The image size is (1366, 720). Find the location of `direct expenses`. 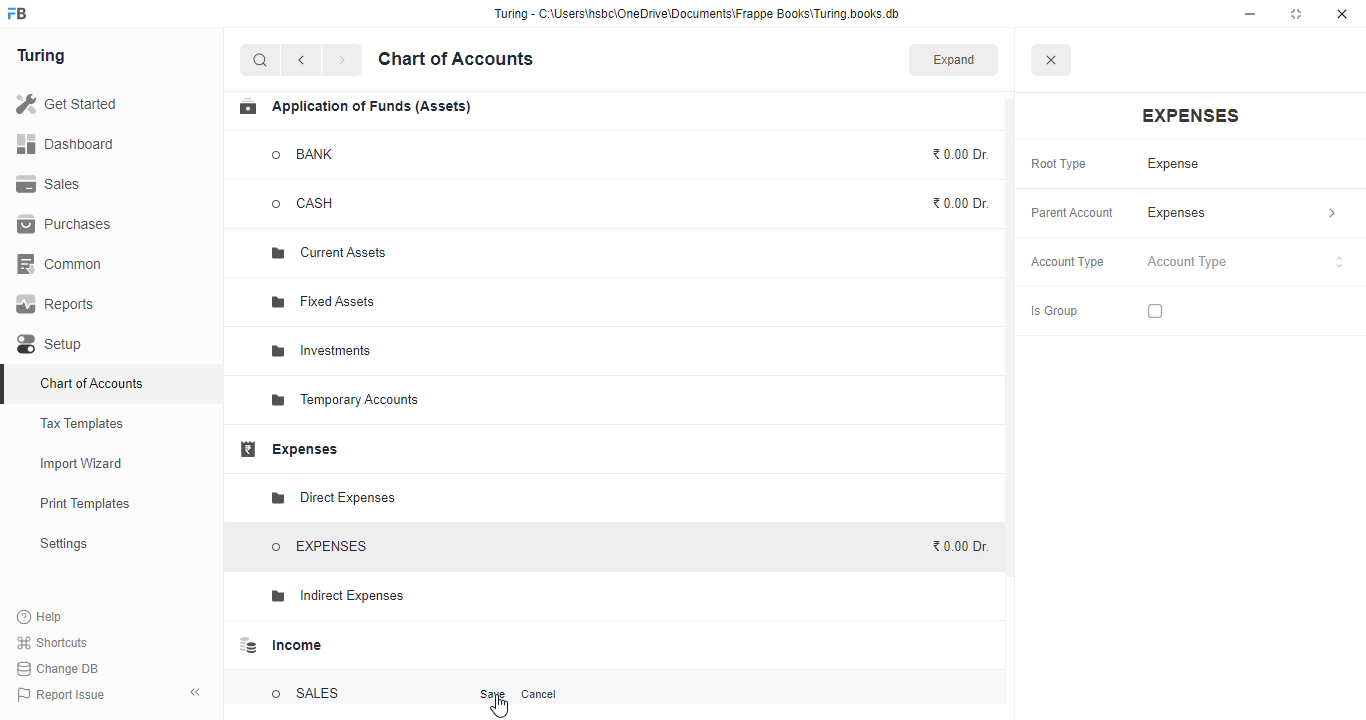

direct expenses is located at coordinates (332, 498).